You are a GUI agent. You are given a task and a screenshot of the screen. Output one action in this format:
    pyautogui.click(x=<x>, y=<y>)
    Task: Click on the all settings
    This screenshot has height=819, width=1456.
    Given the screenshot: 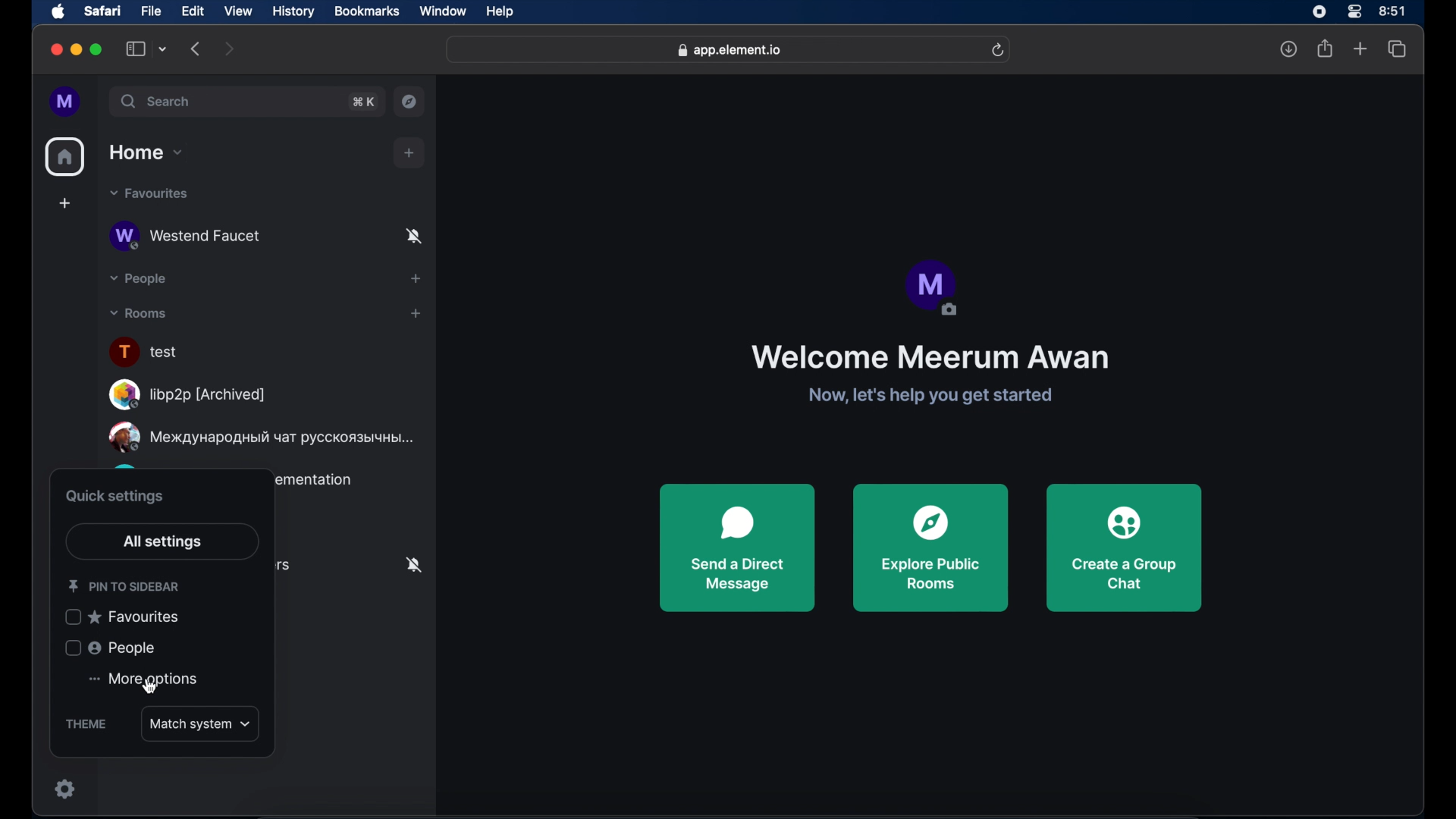 What is the action you would take?
    pyautogui.click(x=162, y=542)
    